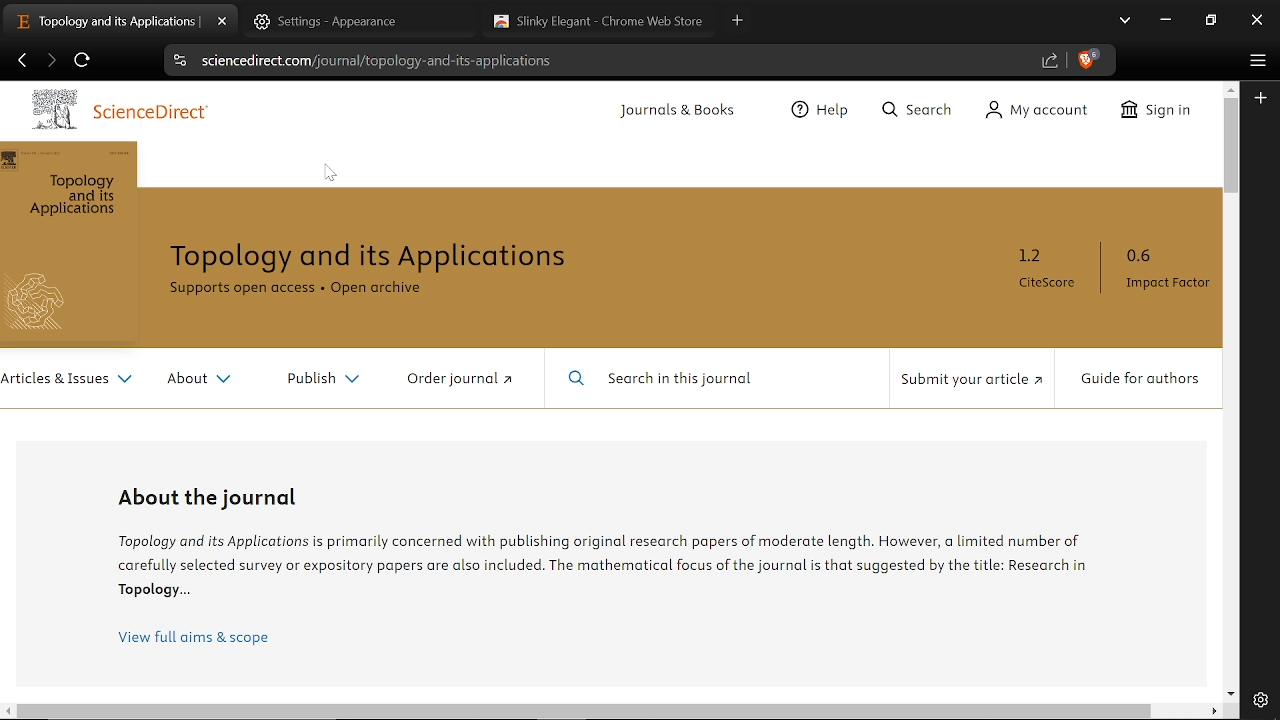 This screenshot has height=720, width=1280. Describe the element at coordinates (178, 62) in the screenshot. I see `View site information` at that location.